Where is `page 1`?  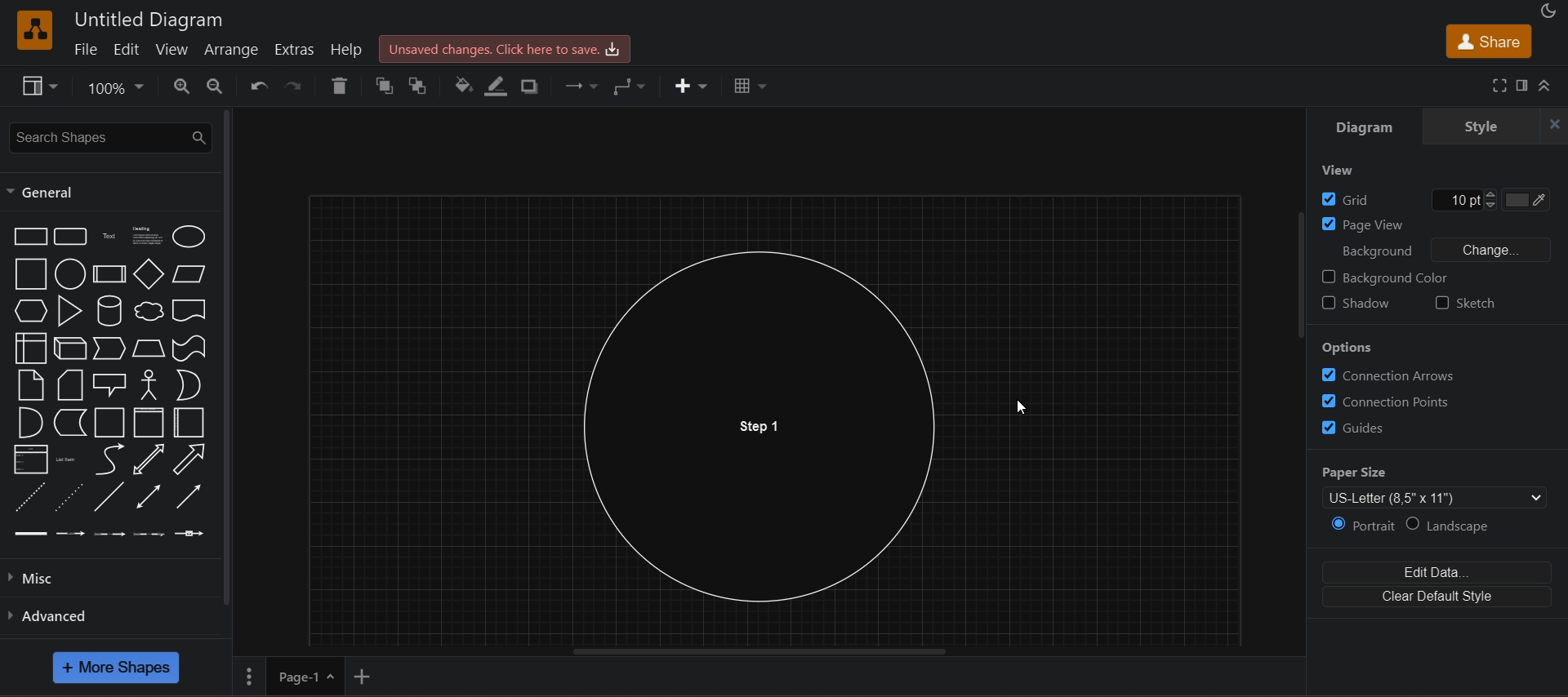
page 1 is located at coordinates (311, 677).